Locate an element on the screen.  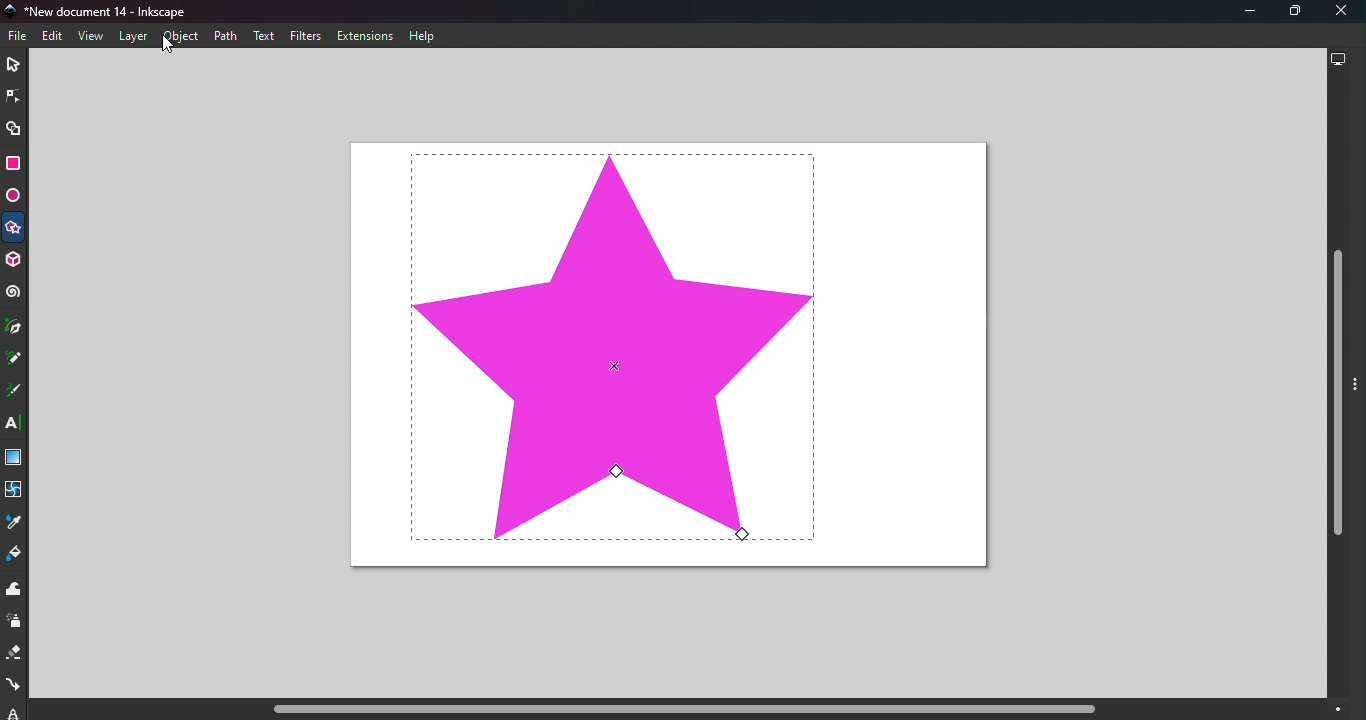
Calligraphy tool is located at coordinates (14, 392).